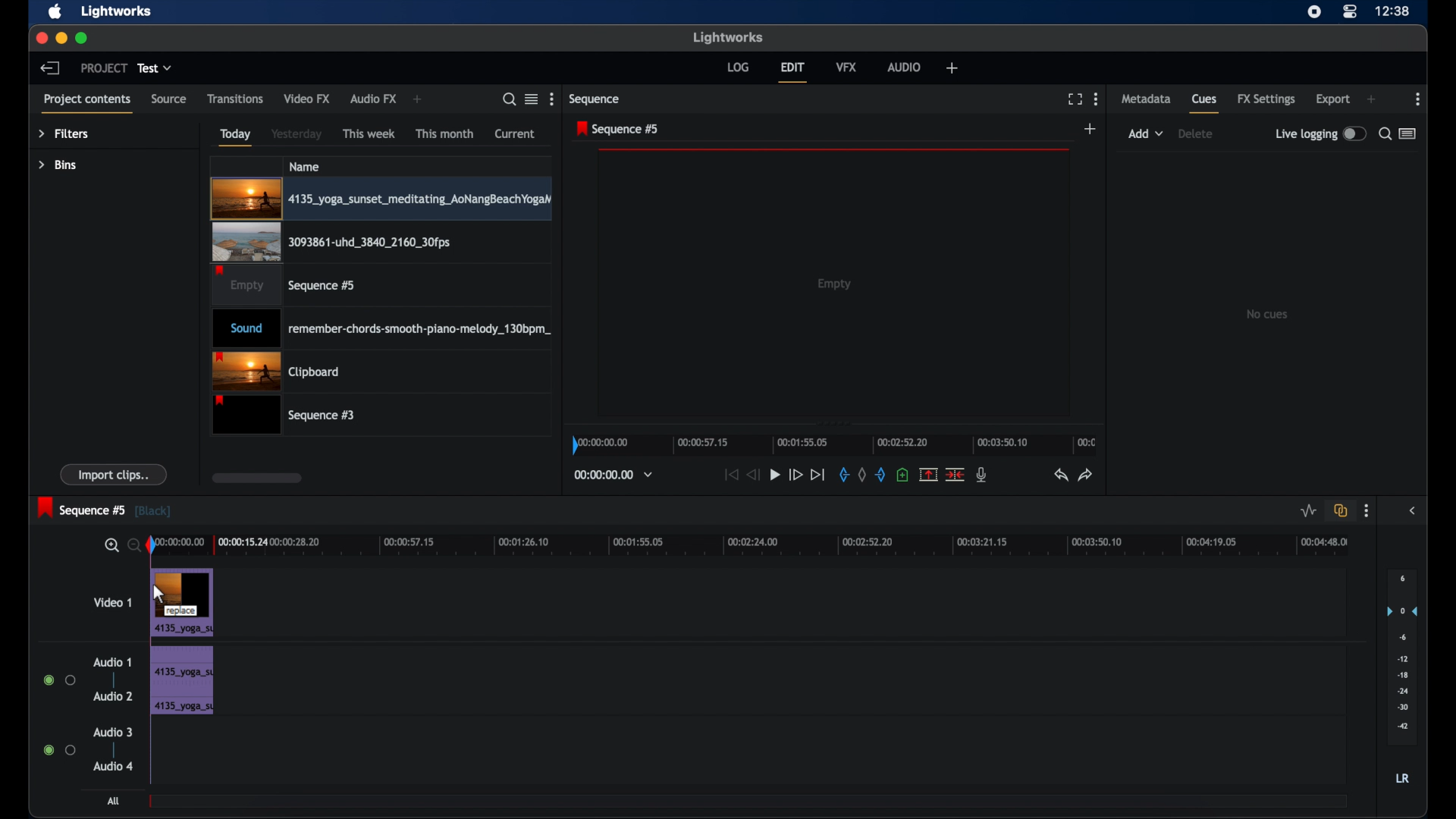  I want to click on add, so click(952, 69).